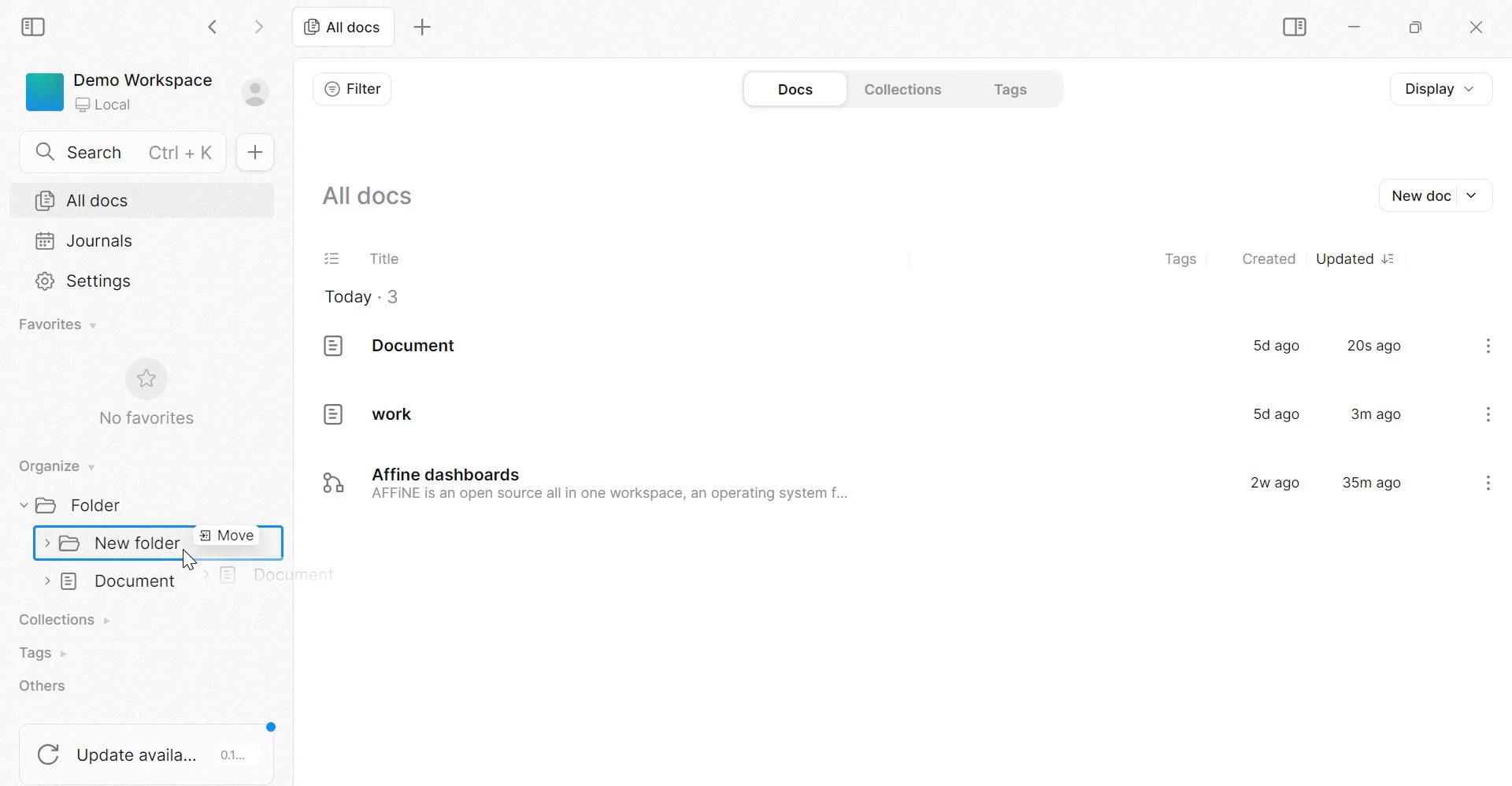 The width and height of the screenshot is (1512, 786). I want to click on Today . 3, so click(362, 297).